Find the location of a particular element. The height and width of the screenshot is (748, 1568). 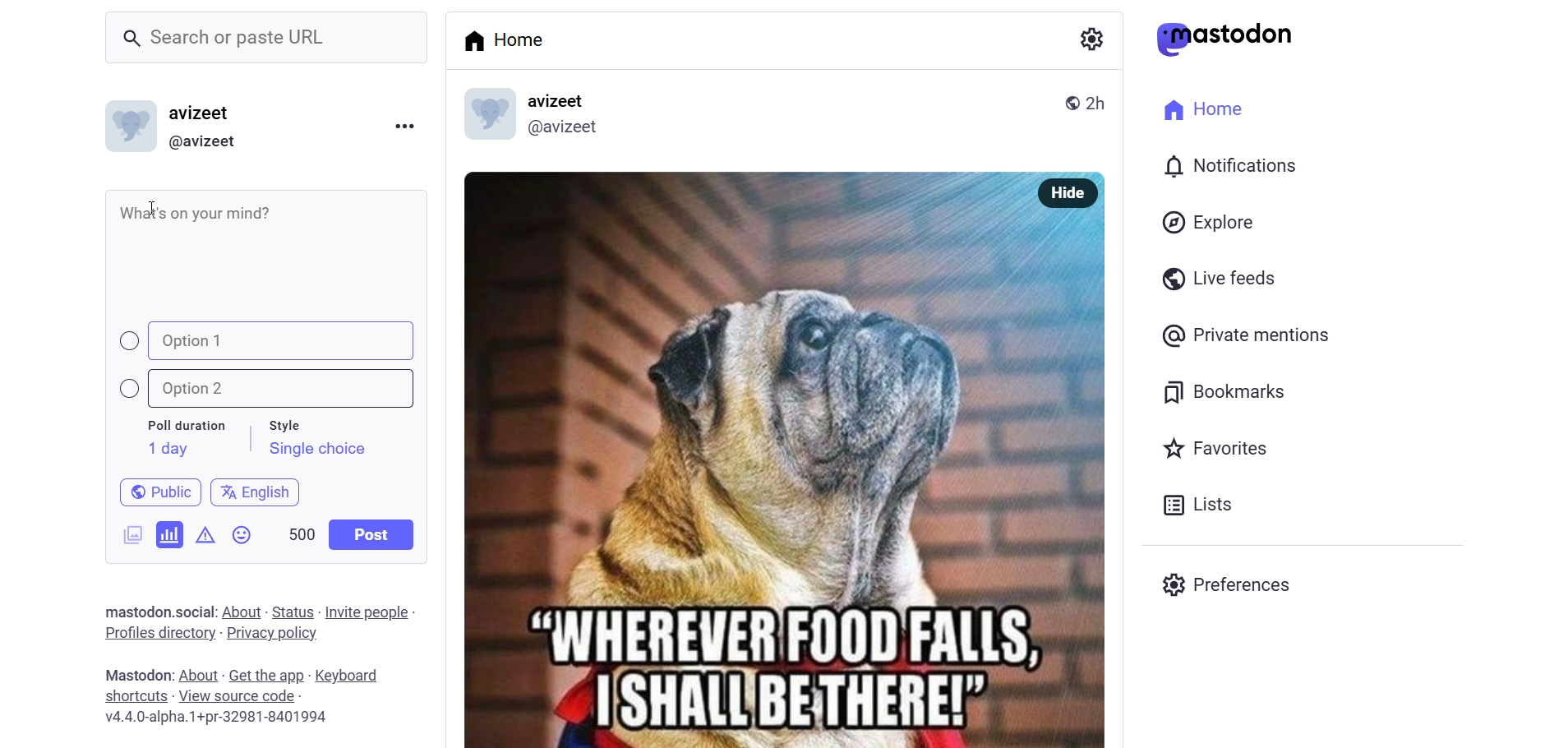

mastodon is located at coordinates (1225, 39).